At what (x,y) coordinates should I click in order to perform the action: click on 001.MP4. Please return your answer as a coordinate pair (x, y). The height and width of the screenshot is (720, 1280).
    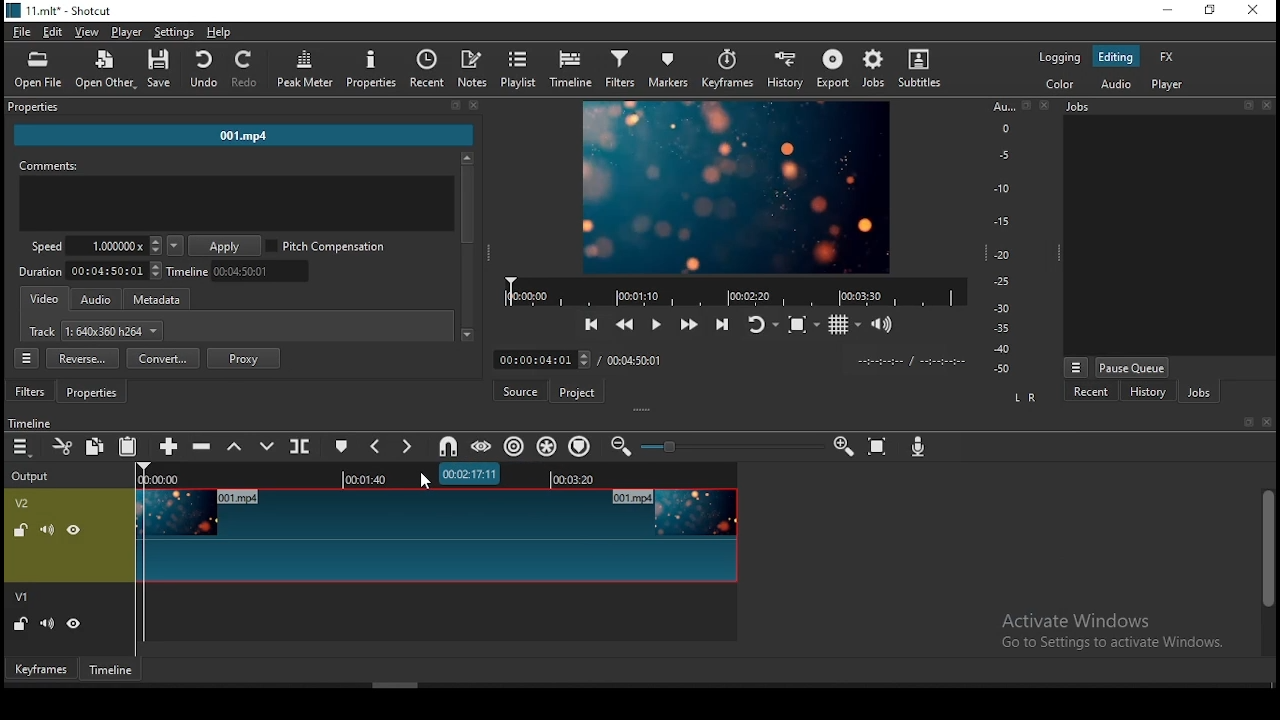
    Looking at the image, I should click on (245, 138).